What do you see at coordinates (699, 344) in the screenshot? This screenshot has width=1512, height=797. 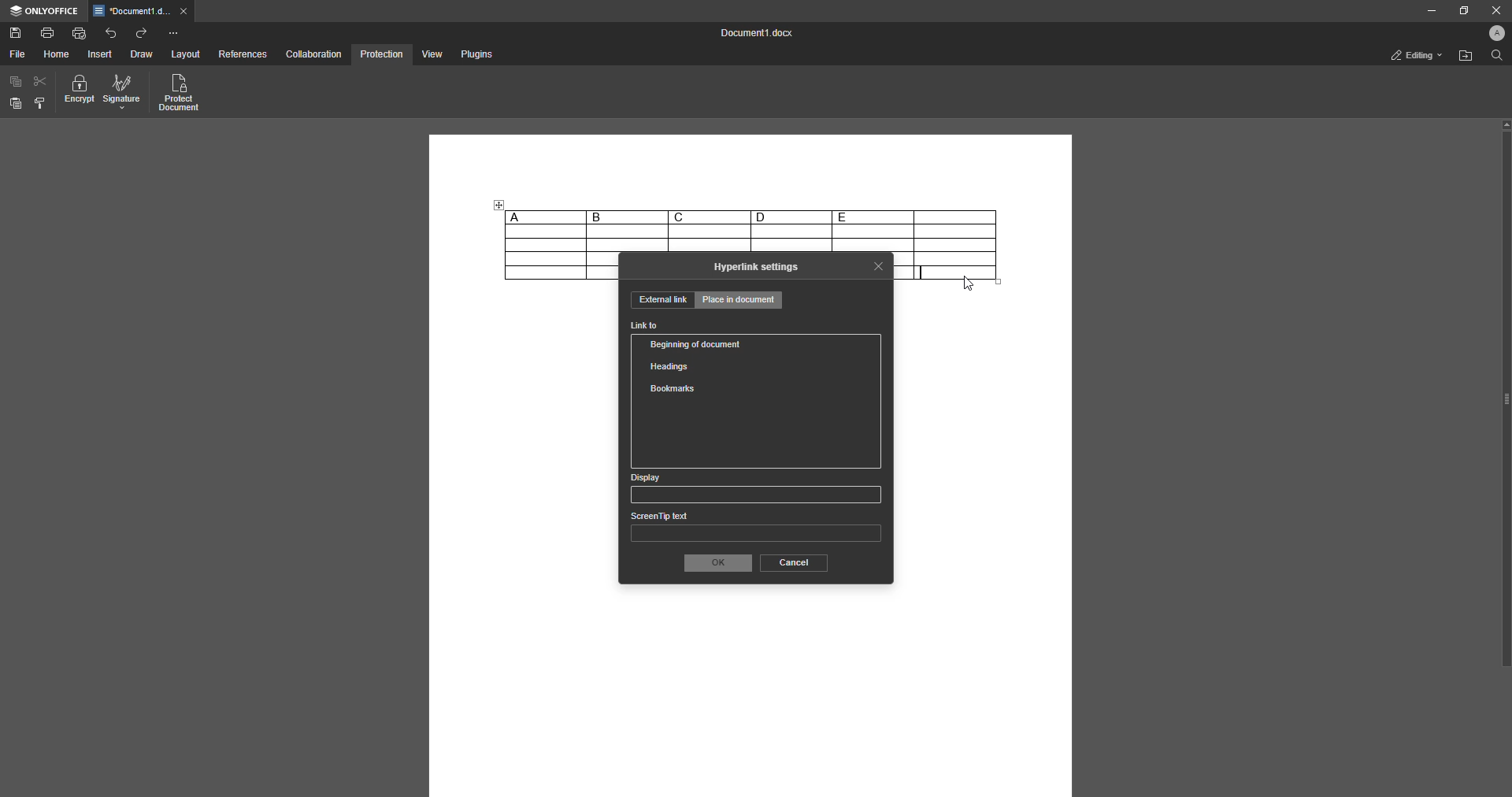 I see `Beginning of document` at bounding box center [699, 344].